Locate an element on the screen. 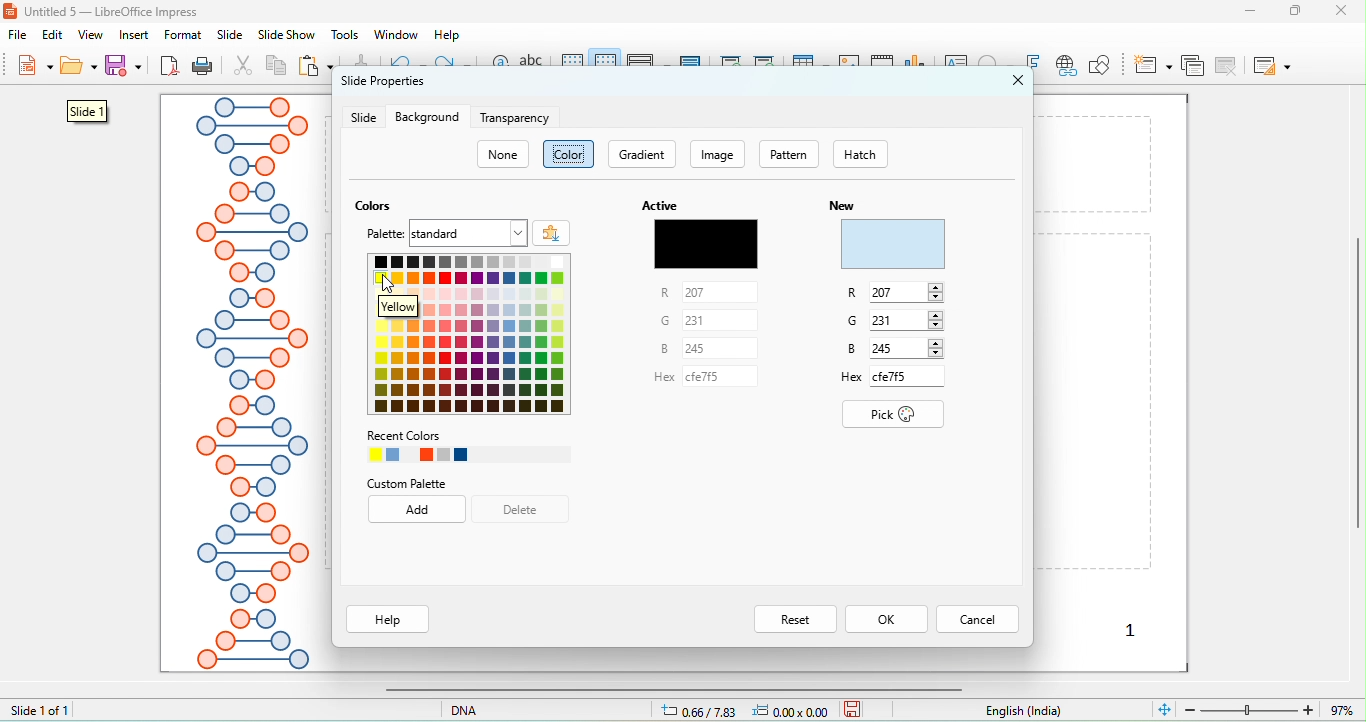 This screenshot has width=1366, height=722. recent colors is located at coordinates (468, 446).